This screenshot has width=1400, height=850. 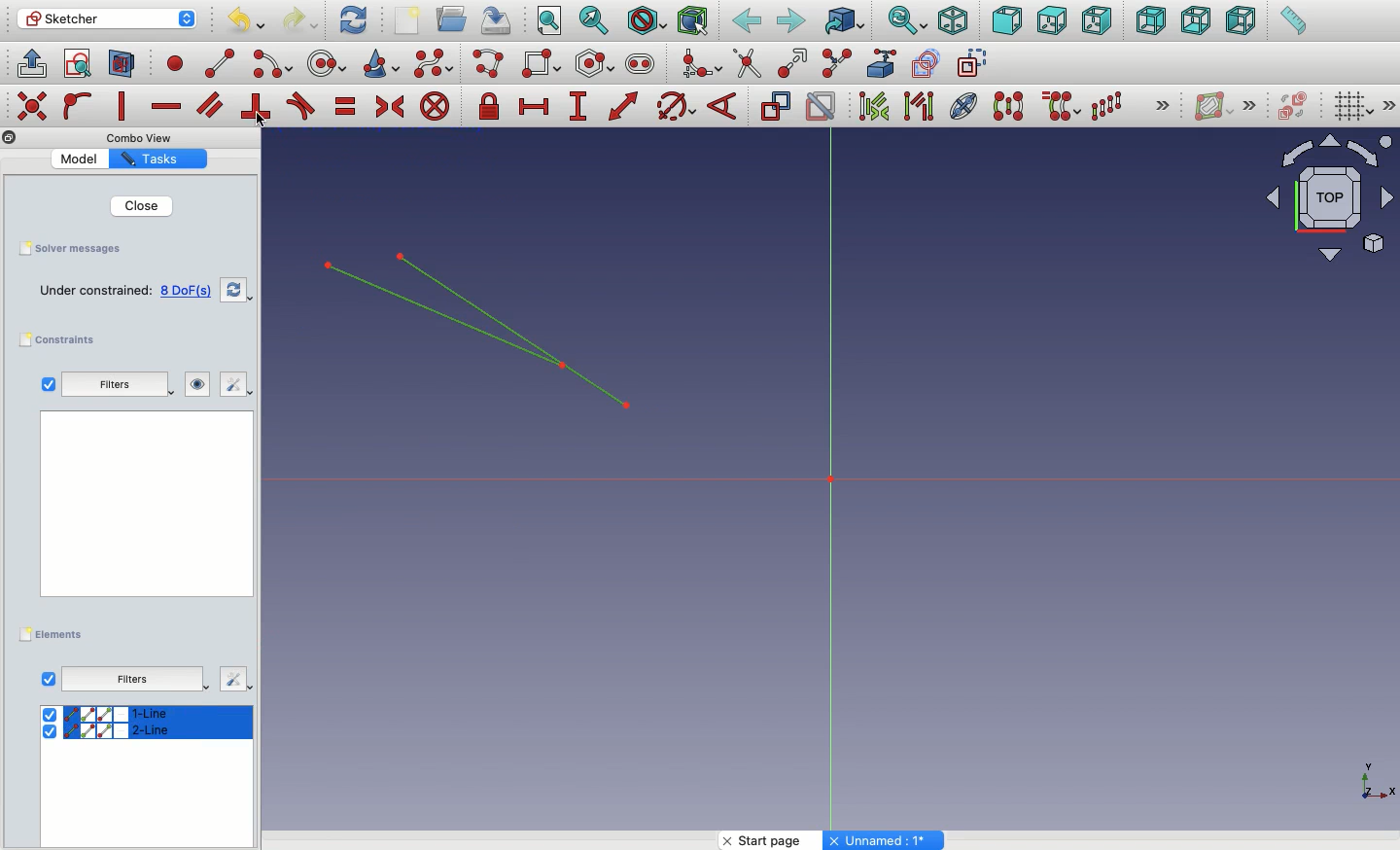 I want to click on Axis, so click(x=831, y=485).